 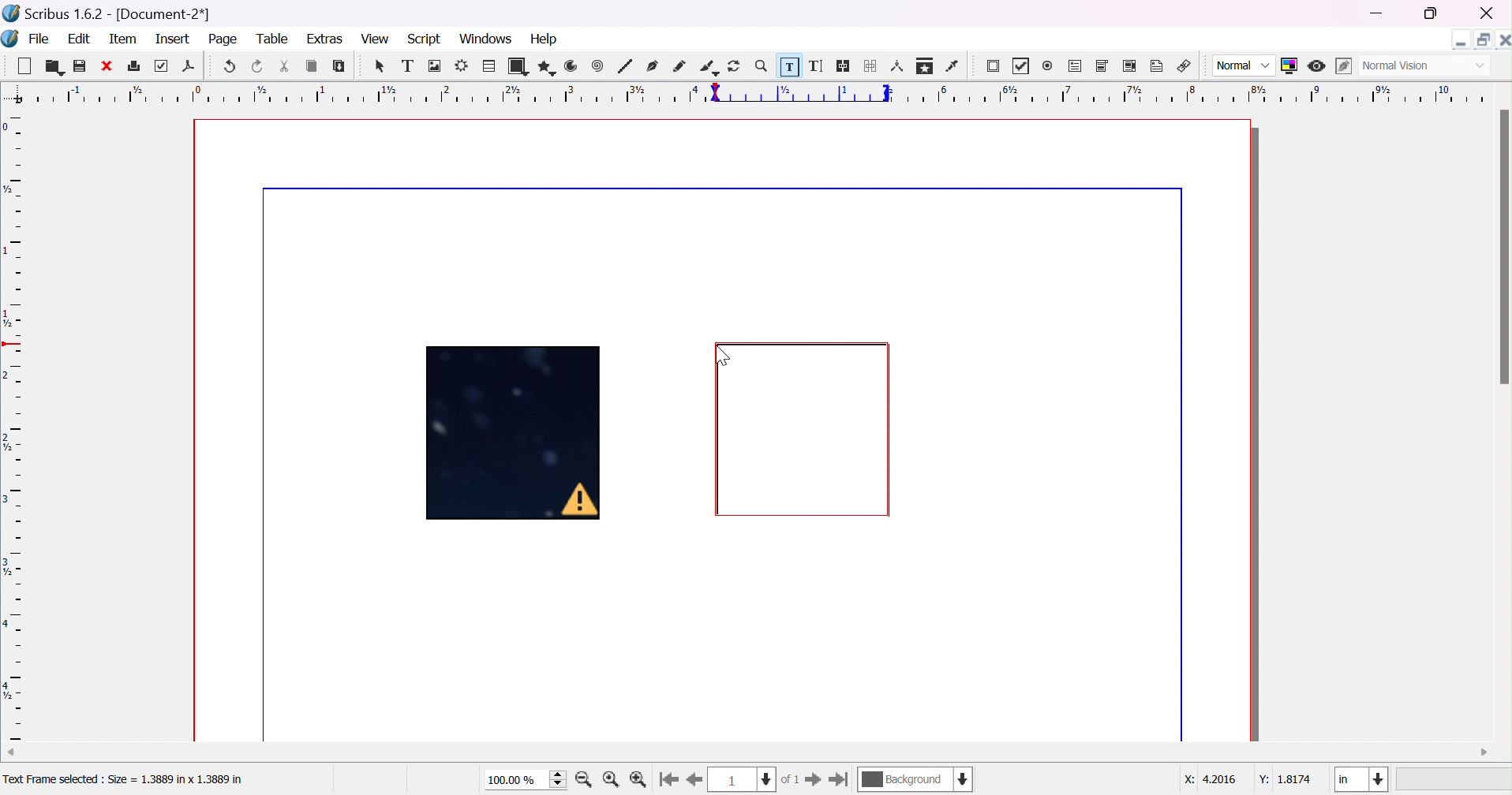 What do you see at coordinates (1488, 13) in the screenshot?
I see `close` at bounding box center [1488, 13].